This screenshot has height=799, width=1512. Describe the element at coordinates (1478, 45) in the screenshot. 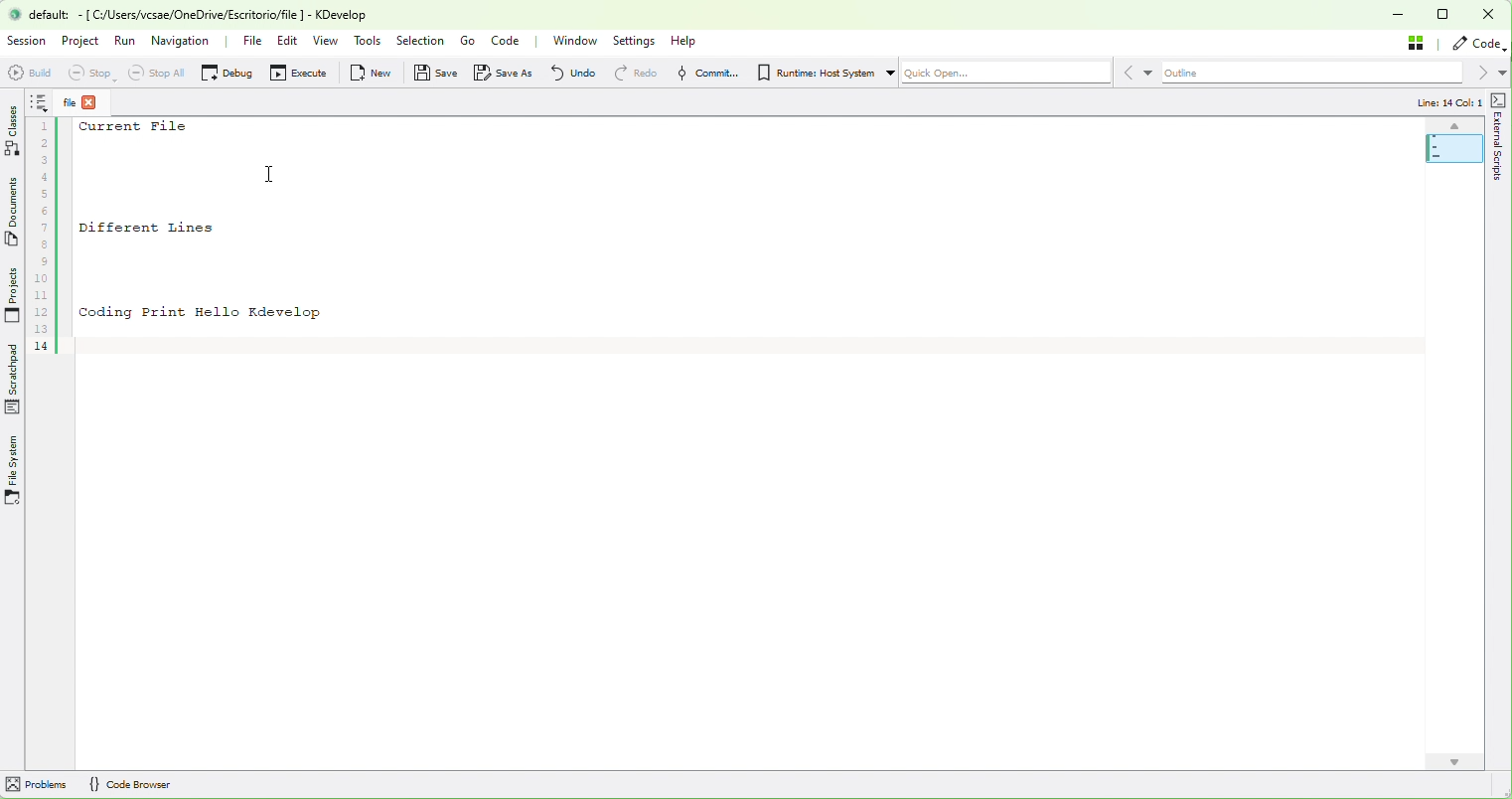

I see `Code` at that location.